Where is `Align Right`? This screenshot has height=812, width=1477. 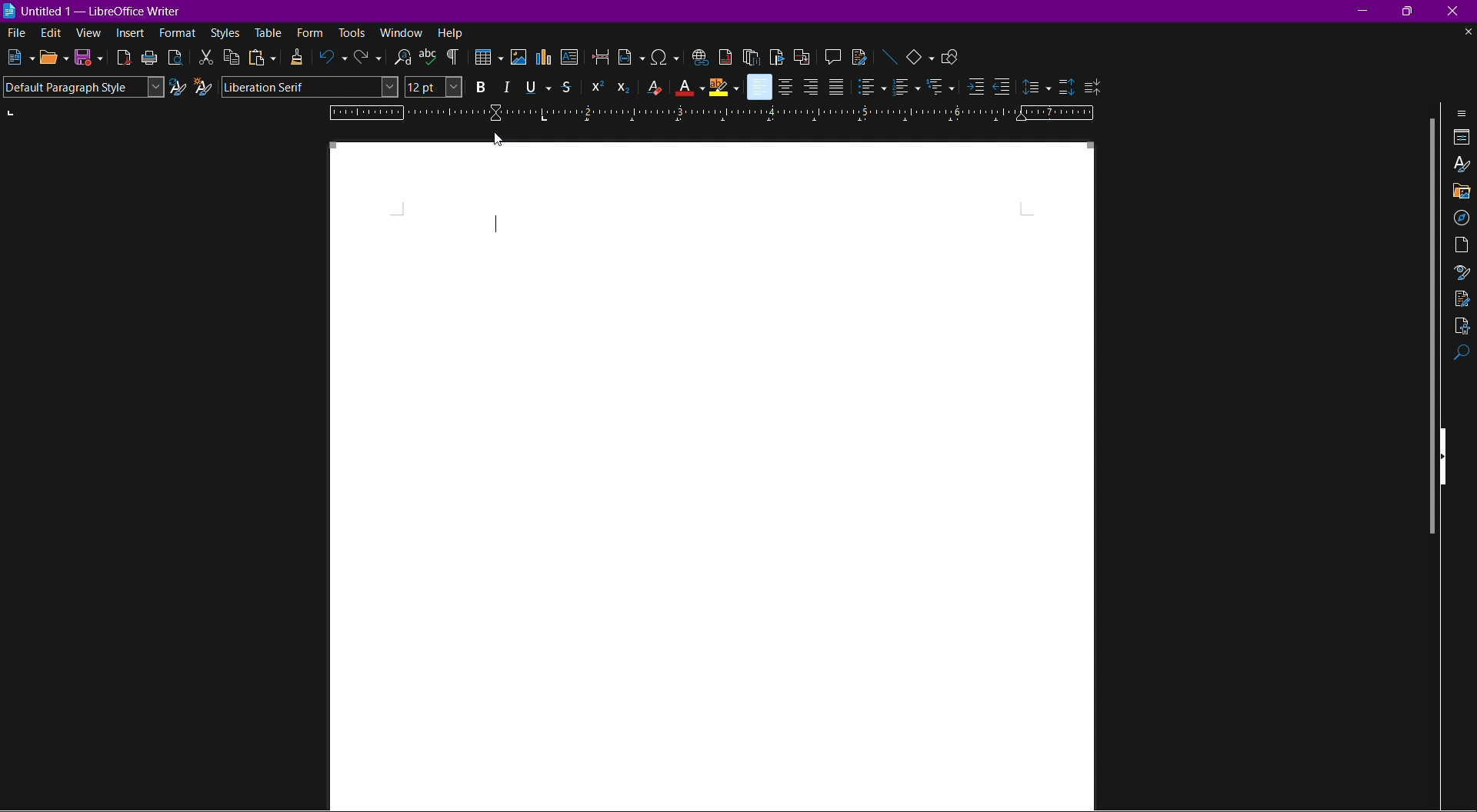 Align Right is located at coordinates (811, 86).